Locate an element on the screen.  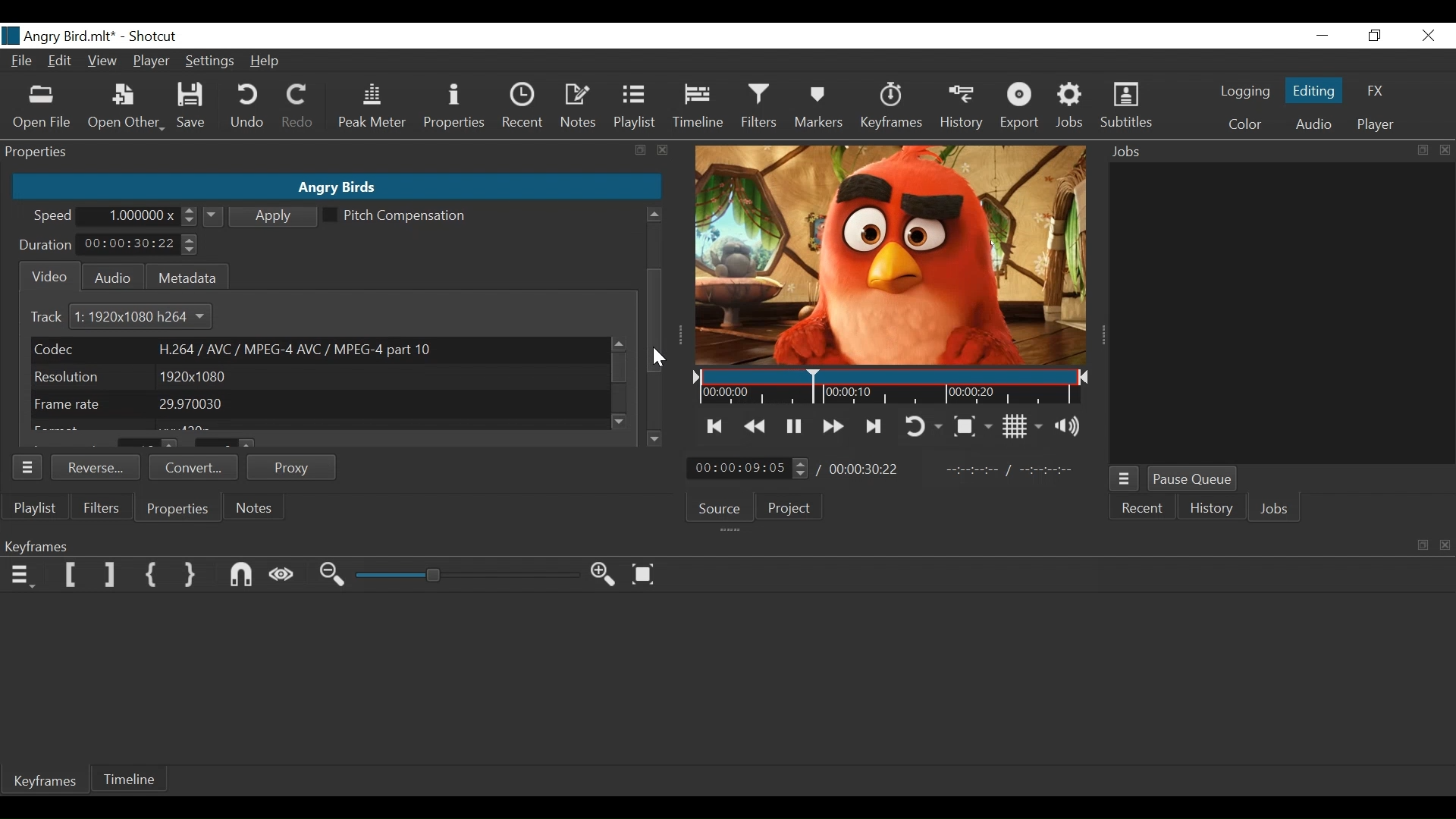
Filters is located at coordinates (99, 507).